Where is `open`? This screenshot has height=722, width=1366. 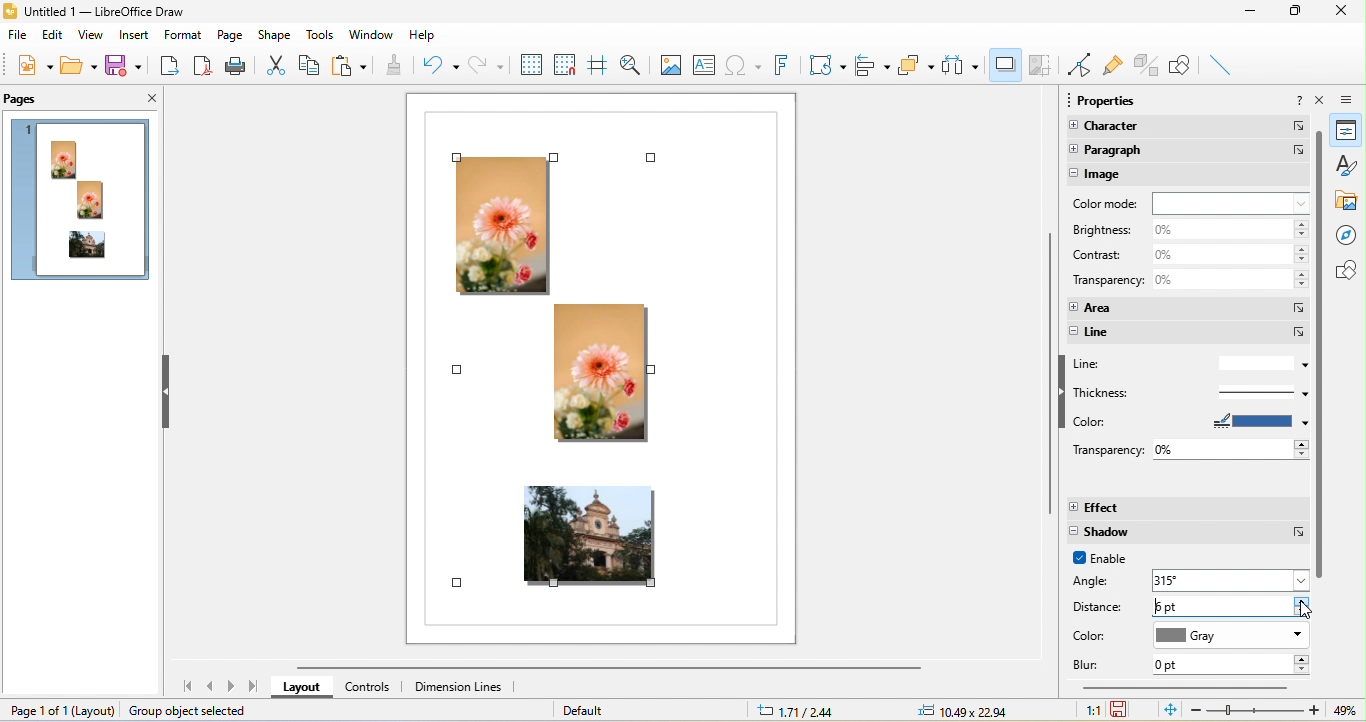
open is located at coordinates (78, 65).